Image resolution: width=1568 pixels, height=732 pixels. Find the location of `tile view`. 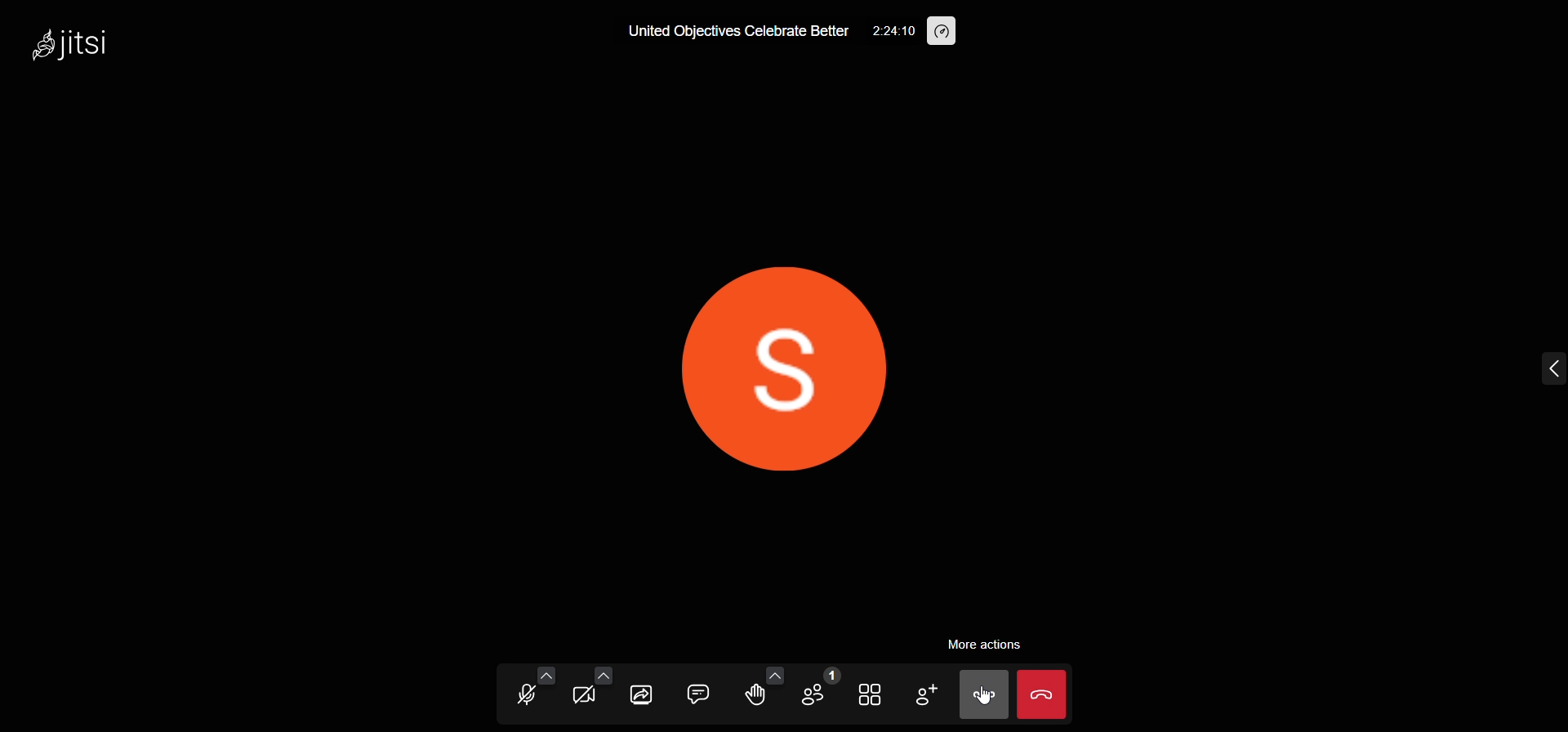

tile view is located at coordinates (868, 695).